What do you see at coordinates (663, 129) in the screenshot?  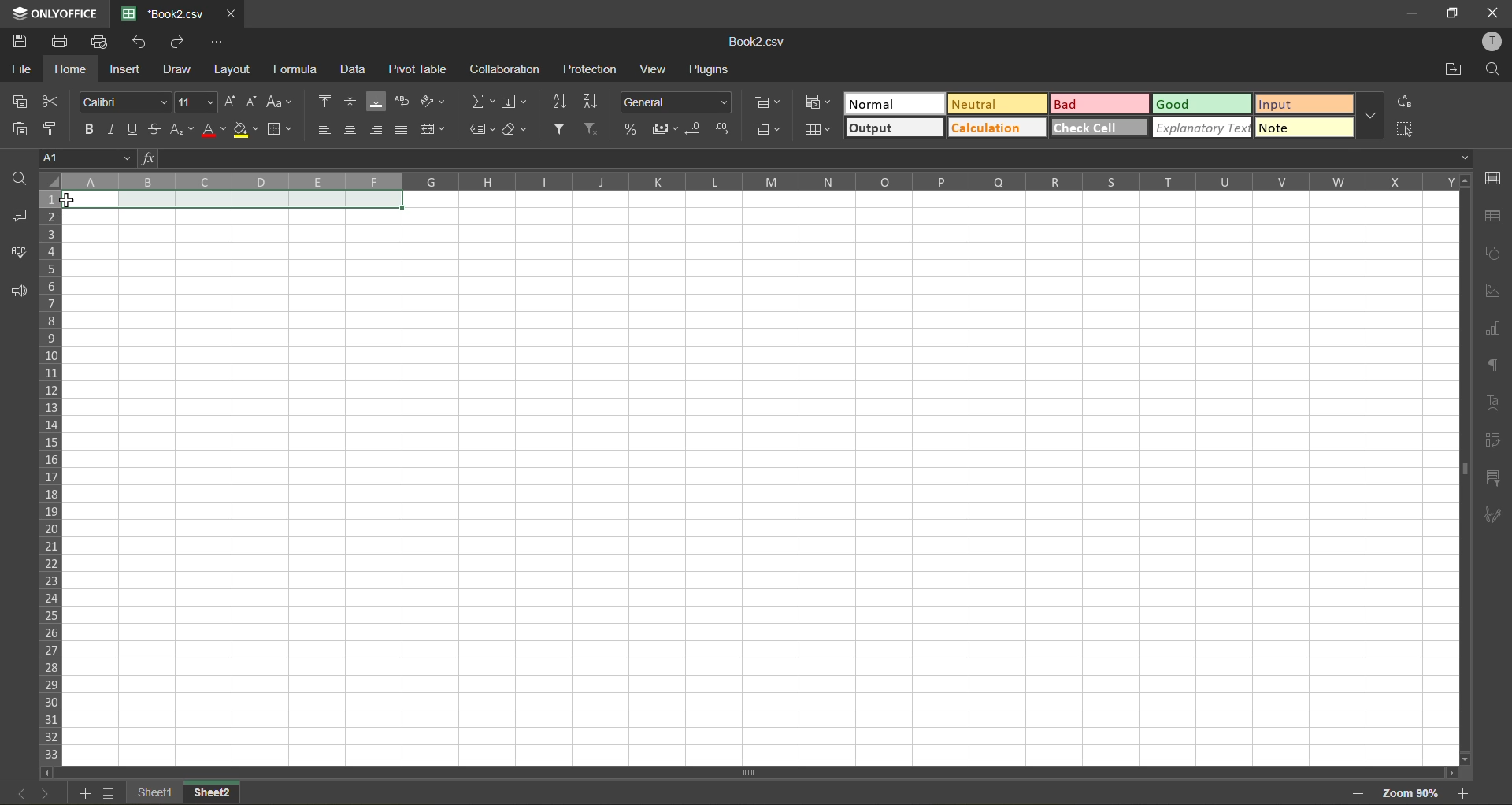 I see `accounting` at bounding box center [663, 129].